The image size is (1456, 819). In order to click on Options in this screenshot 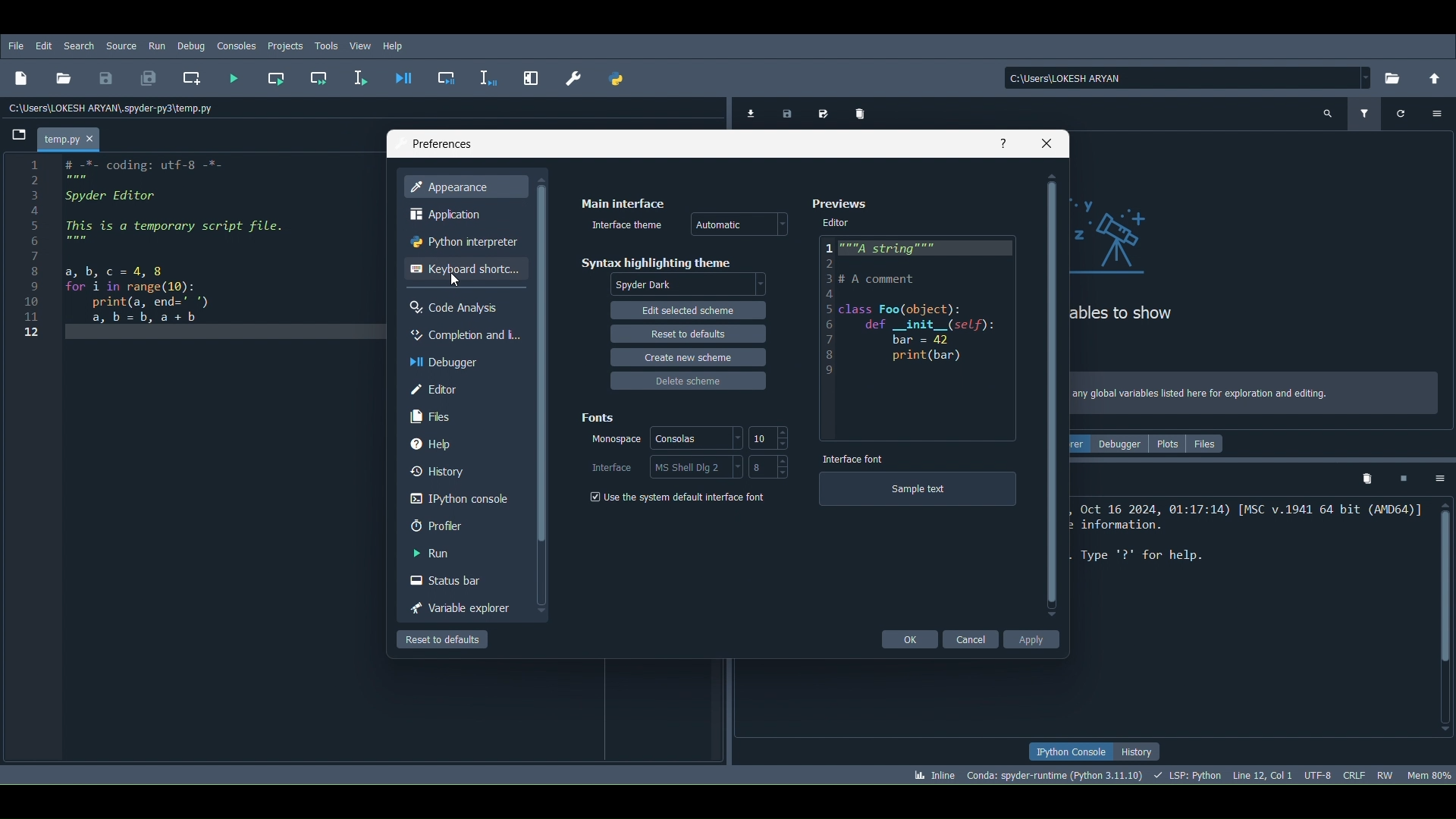, I will do `click(1439, 479)`.